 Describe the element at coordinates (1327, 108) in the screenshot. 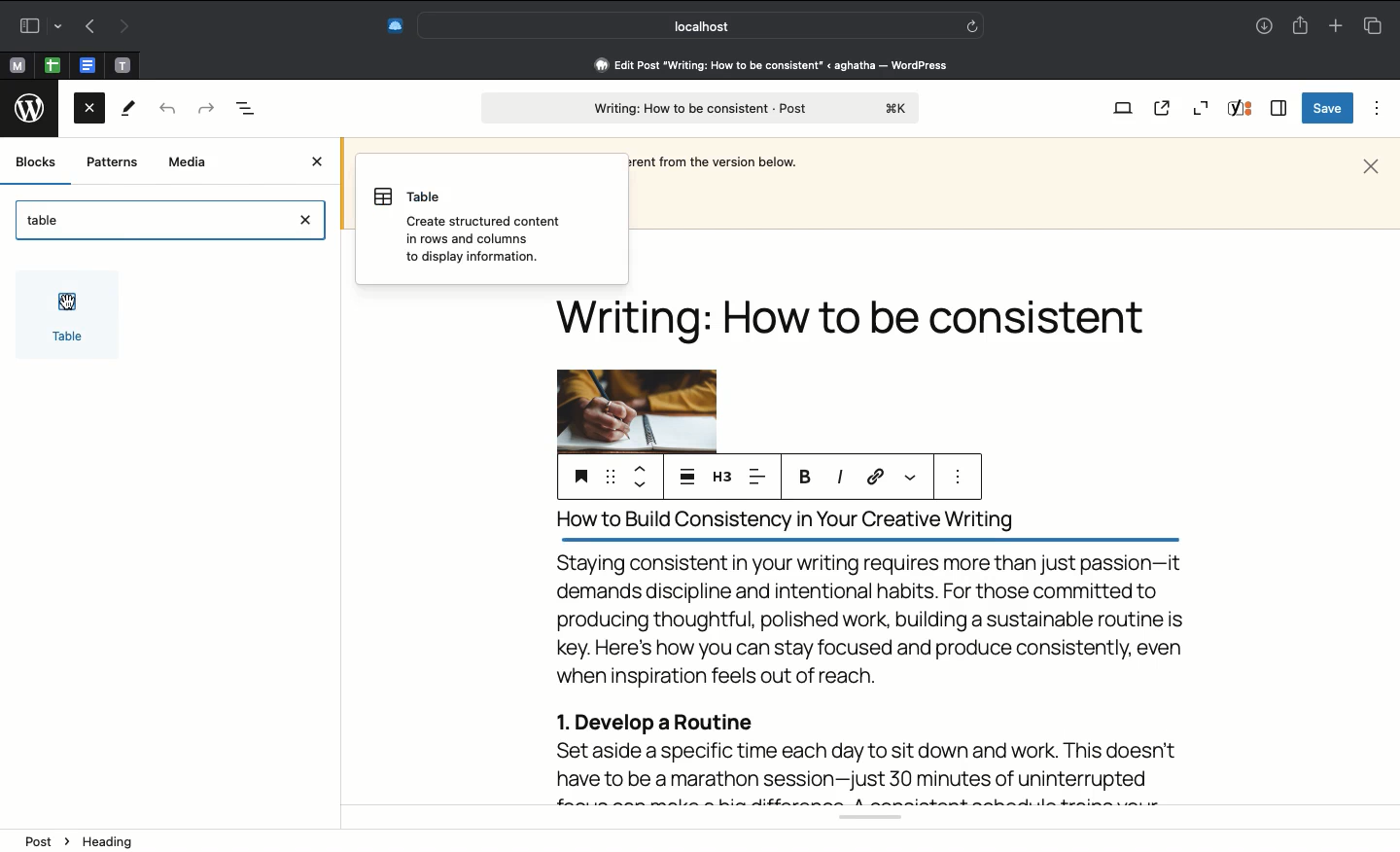

I see `Save` at that location.